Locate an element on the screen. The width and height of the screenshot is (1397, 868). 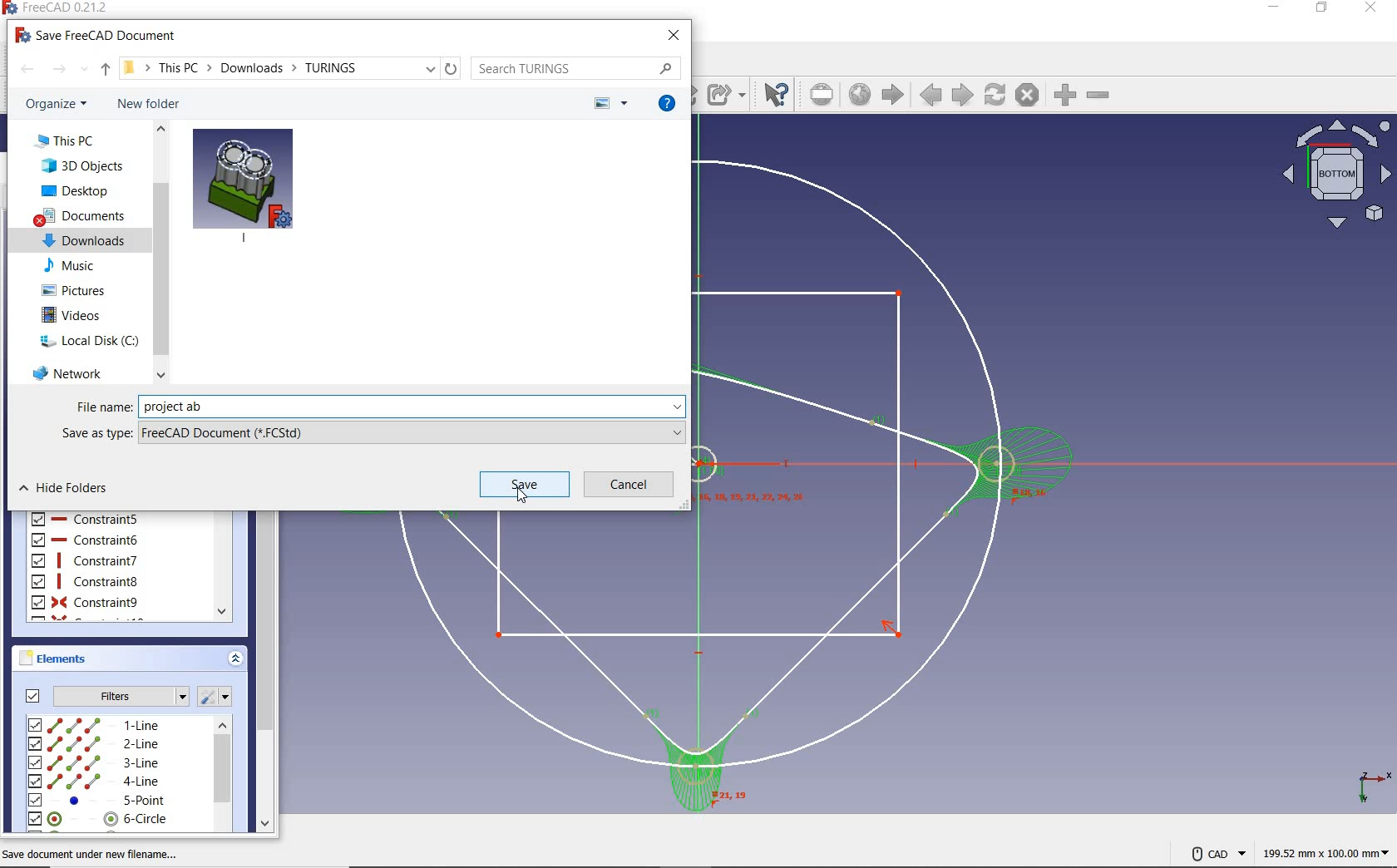
scrollbar is located at coordinates (222, 776).